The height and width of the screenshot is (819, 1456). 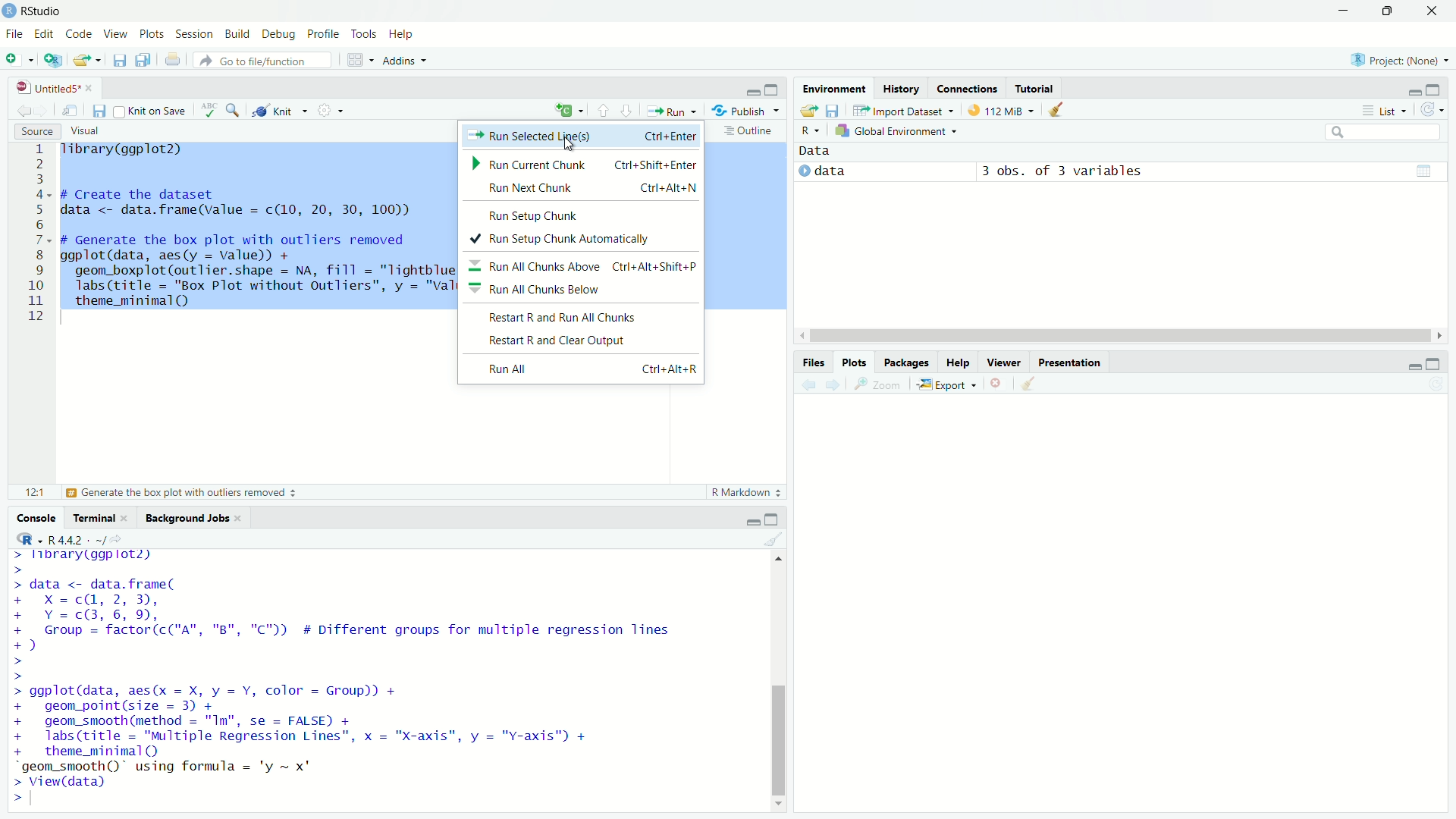 I want to click on » RunCurrent Chunk ~~ Ctrl+Shift+Enter, so click(x=582, y=165).